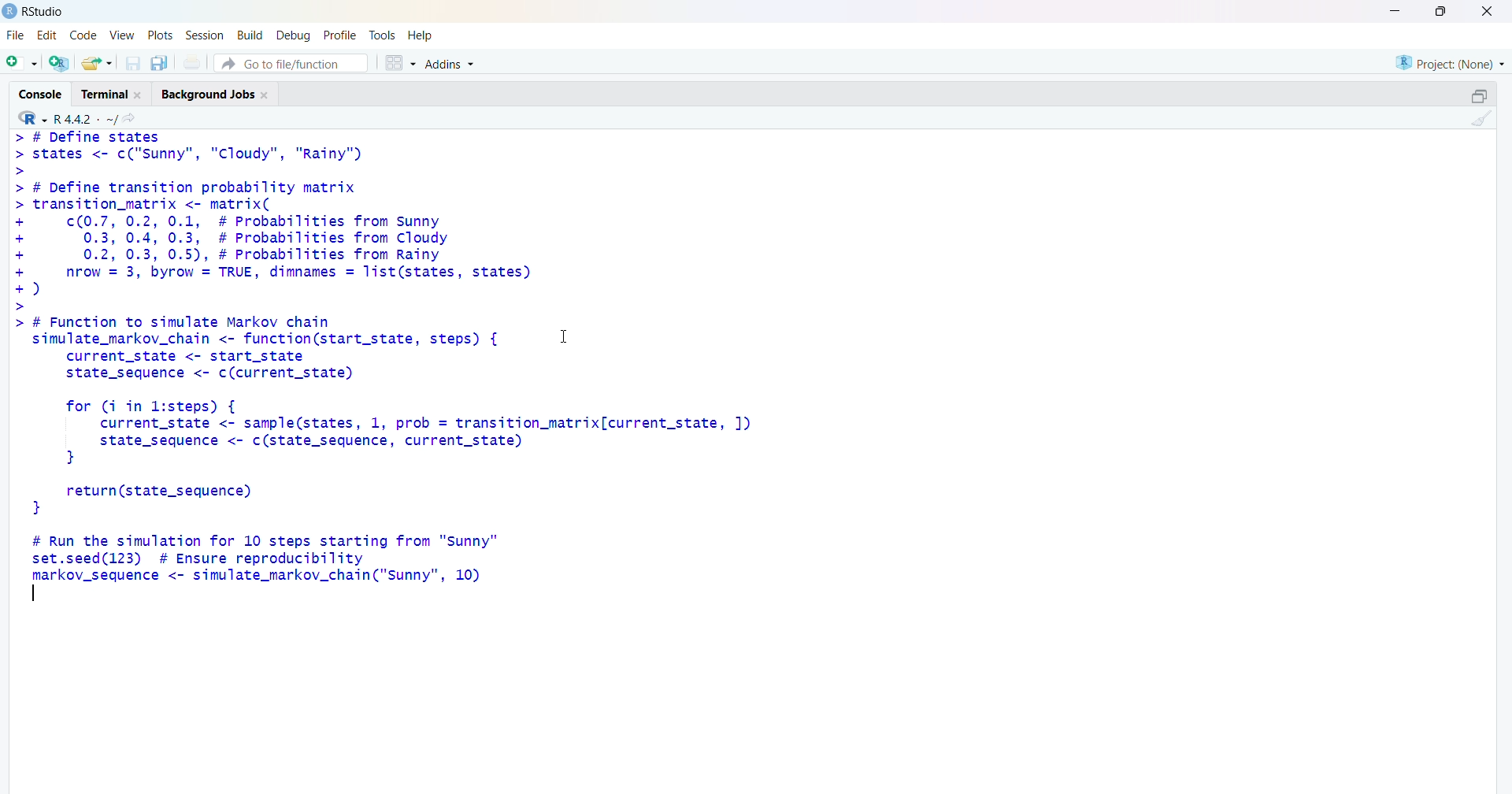 The width and height of the screenshot is (1512, 794). I want to click on open an existing file, so click(97, 62).